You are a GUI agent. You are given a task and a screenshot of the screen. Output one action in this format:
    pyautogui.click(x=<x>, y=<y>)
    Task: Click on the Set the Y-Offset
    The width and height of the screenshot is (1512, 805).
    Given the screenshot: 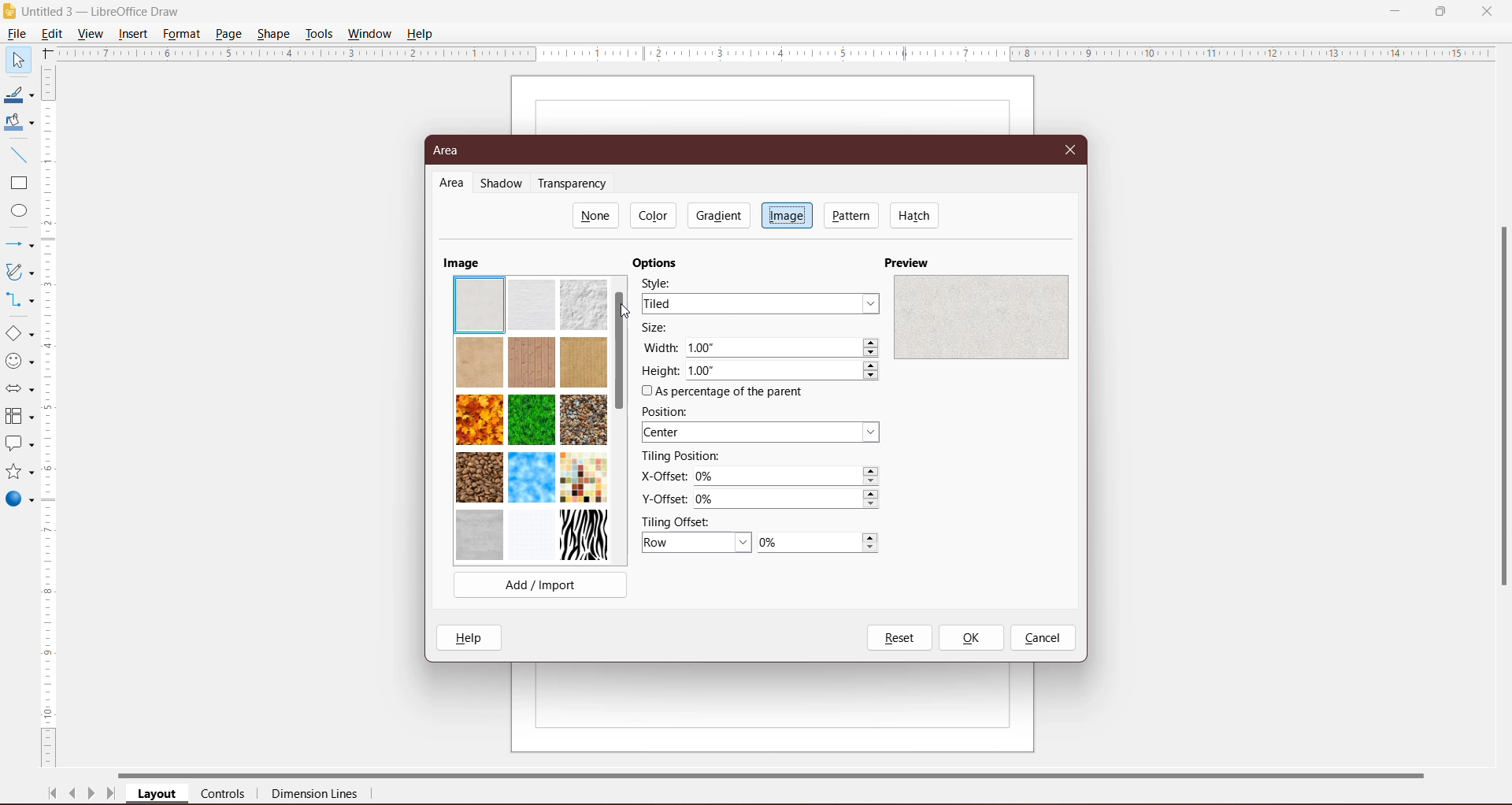 What is the action you would take?
    pyautogui.click(x=791, y=499)
    